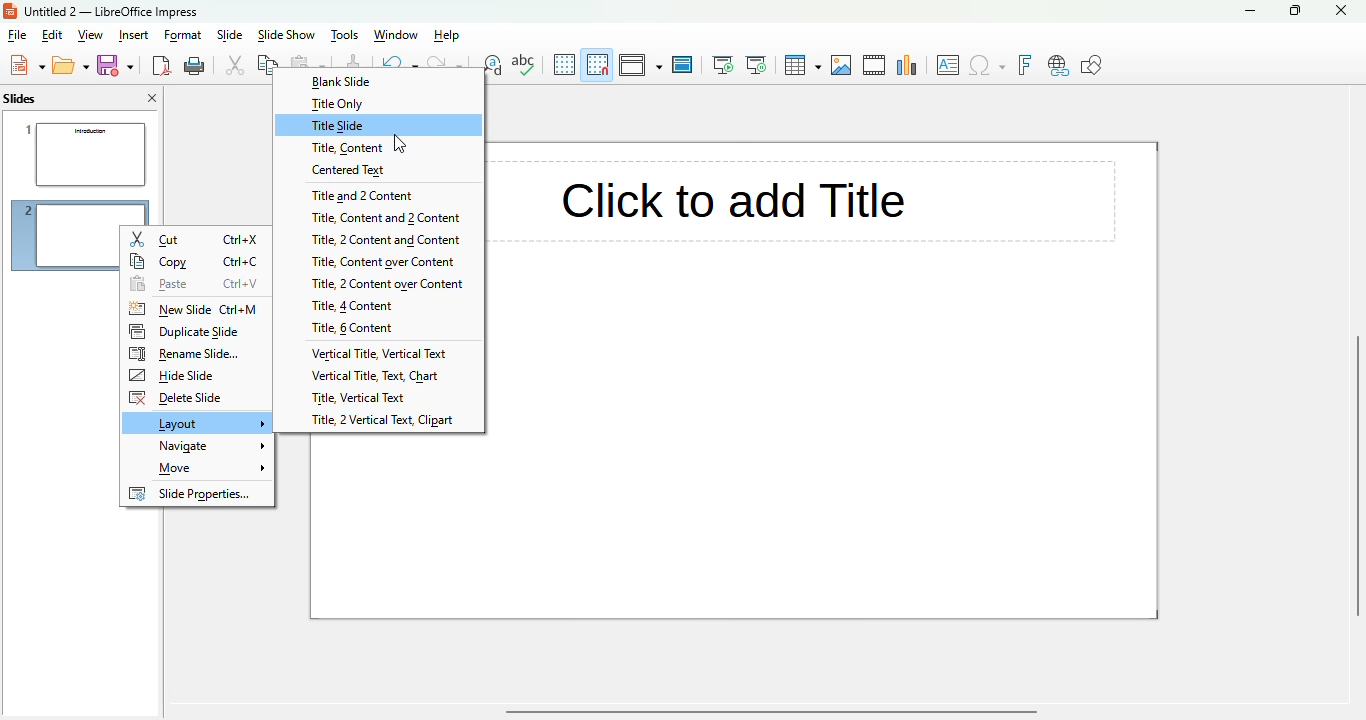  Describe the element at coordinates (195, 375) in the screenshot. I see `hide slide` at that location.